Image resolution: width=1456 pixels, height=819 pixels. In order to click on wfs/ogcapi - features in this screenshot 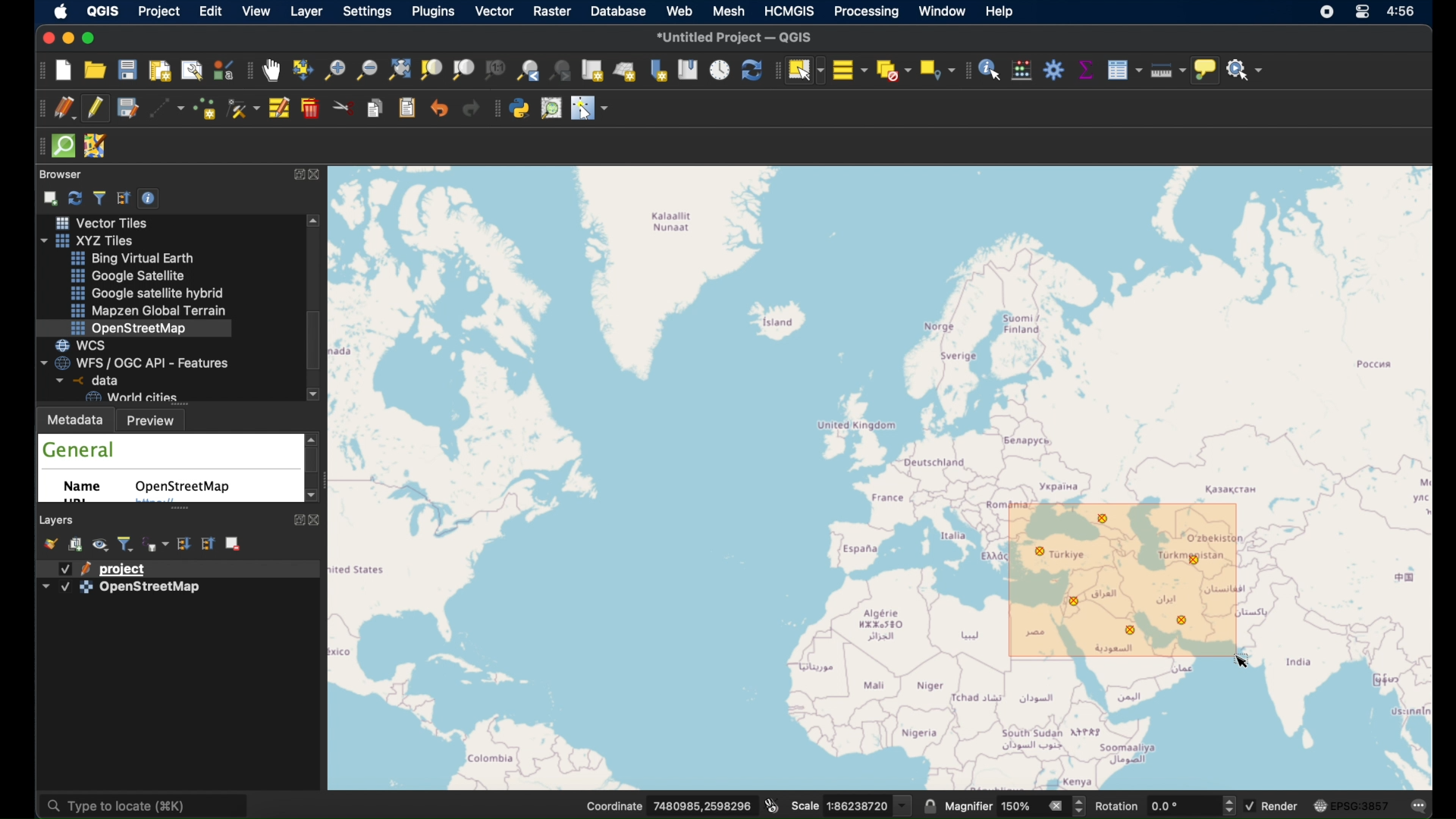, I will do `click(136, 362)`.